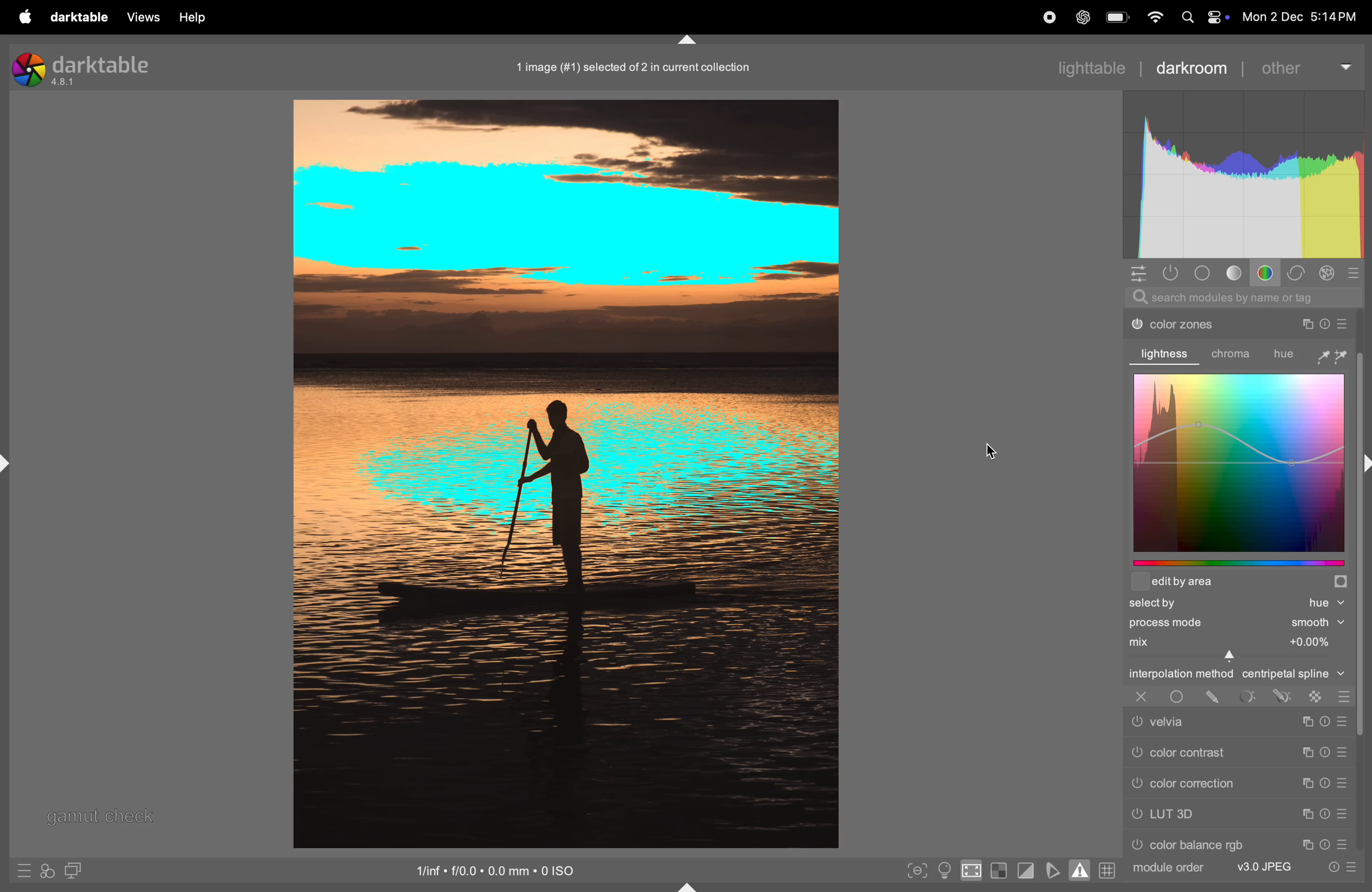 The width and height of the screenshot is (1372, 892). What do you see at coordinates (1156, 17) in the screenshot?
I see `wifi` at bounding box center [1156, 17].